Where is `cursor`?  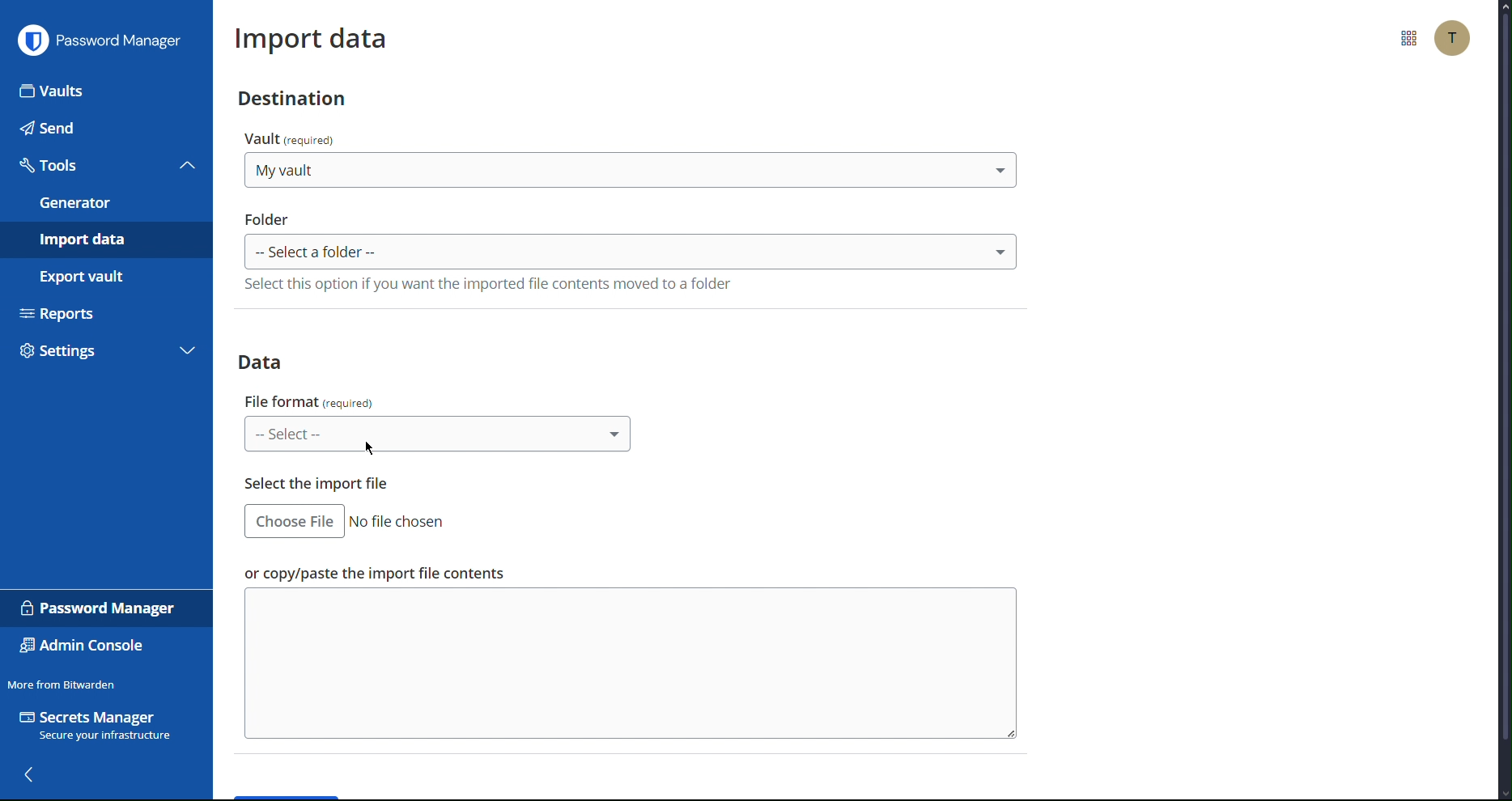
cursor is located at coordinates (371, 447).